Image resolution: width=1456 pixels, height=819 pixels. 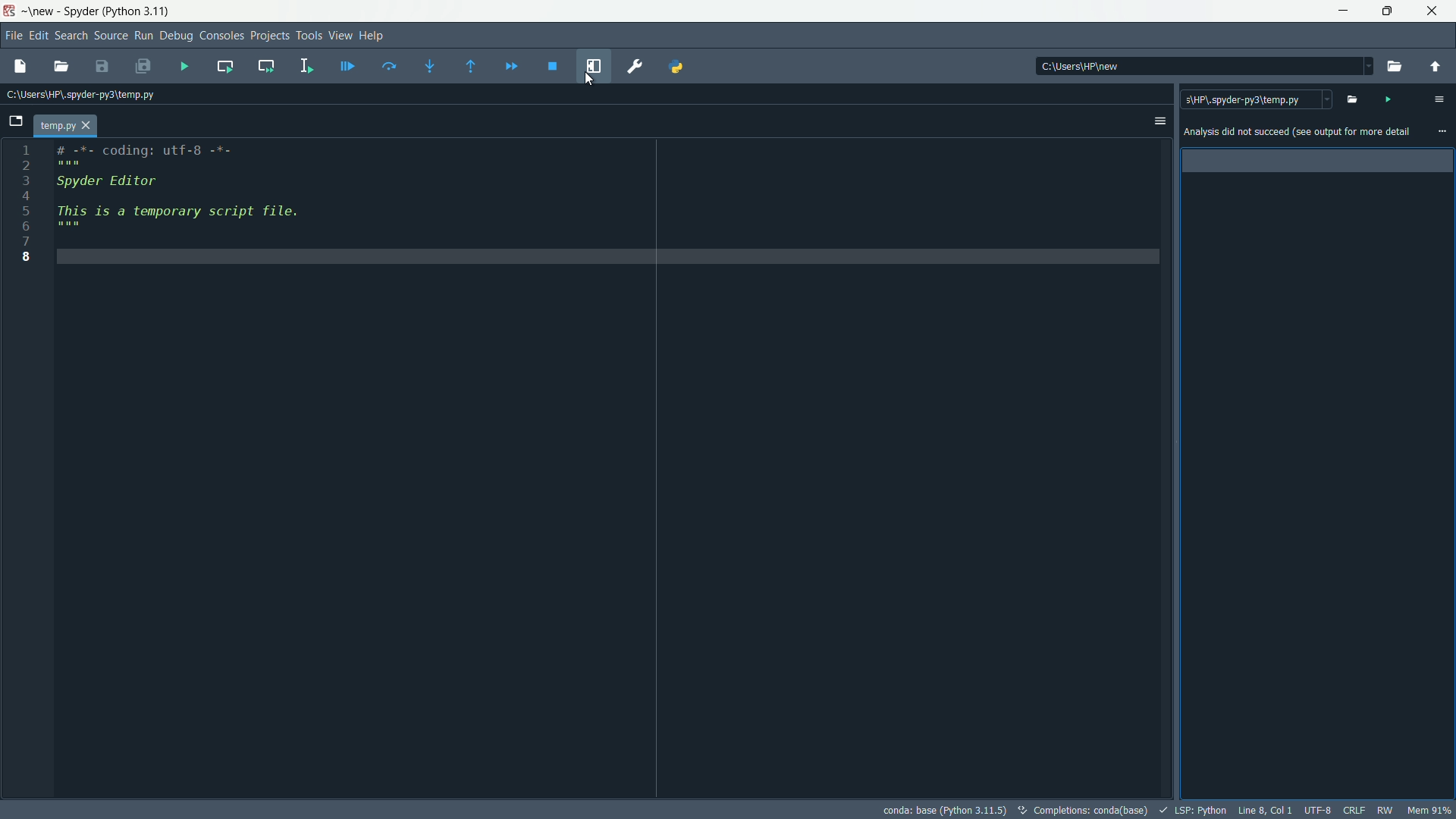 I want to click on browse tabs, so click(x=16, y=123).